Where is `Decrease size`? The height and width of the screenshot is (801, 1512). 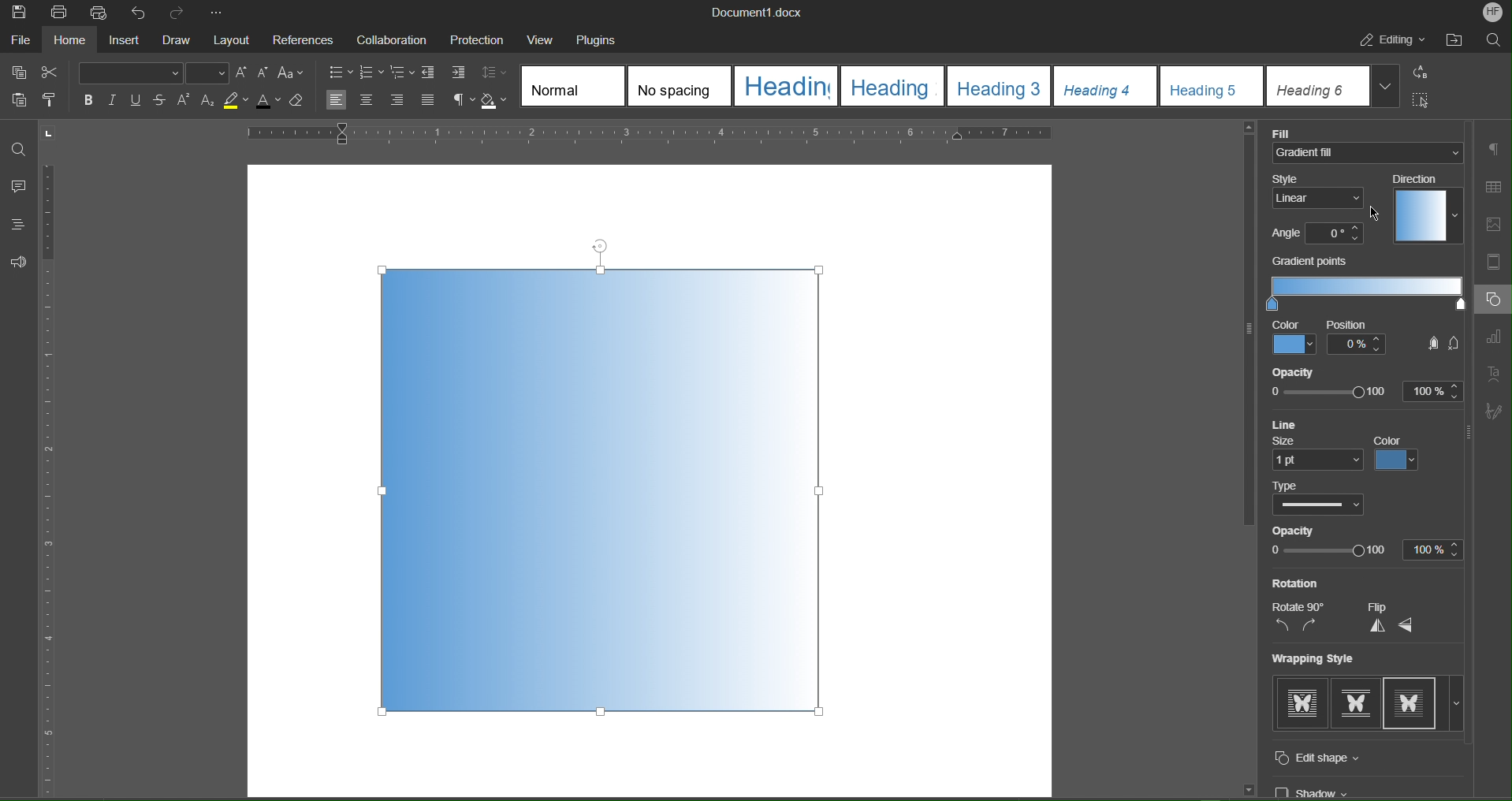 Decrease size is located at coordinates (264, 73).